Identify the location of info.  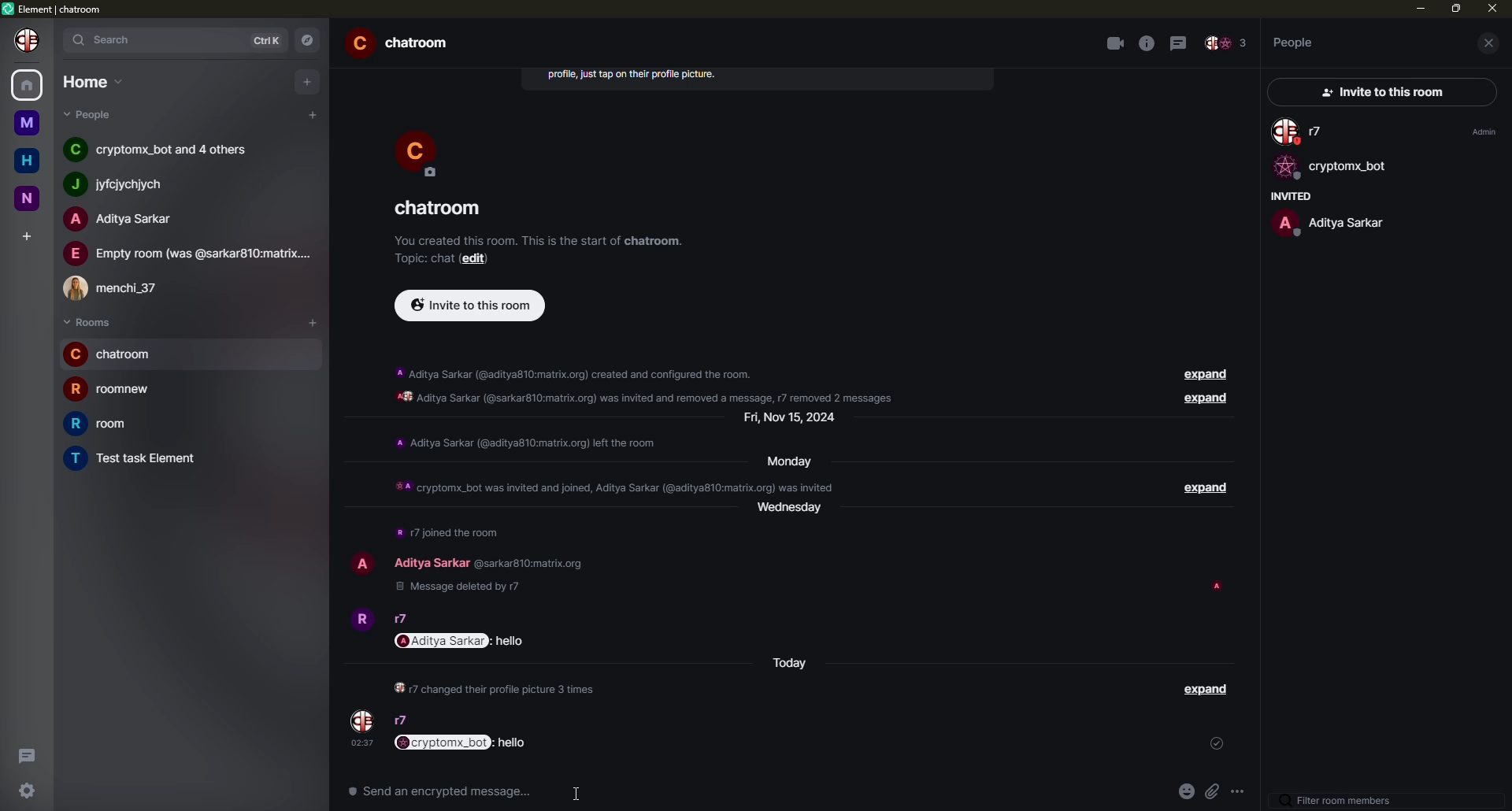
(534, 444).